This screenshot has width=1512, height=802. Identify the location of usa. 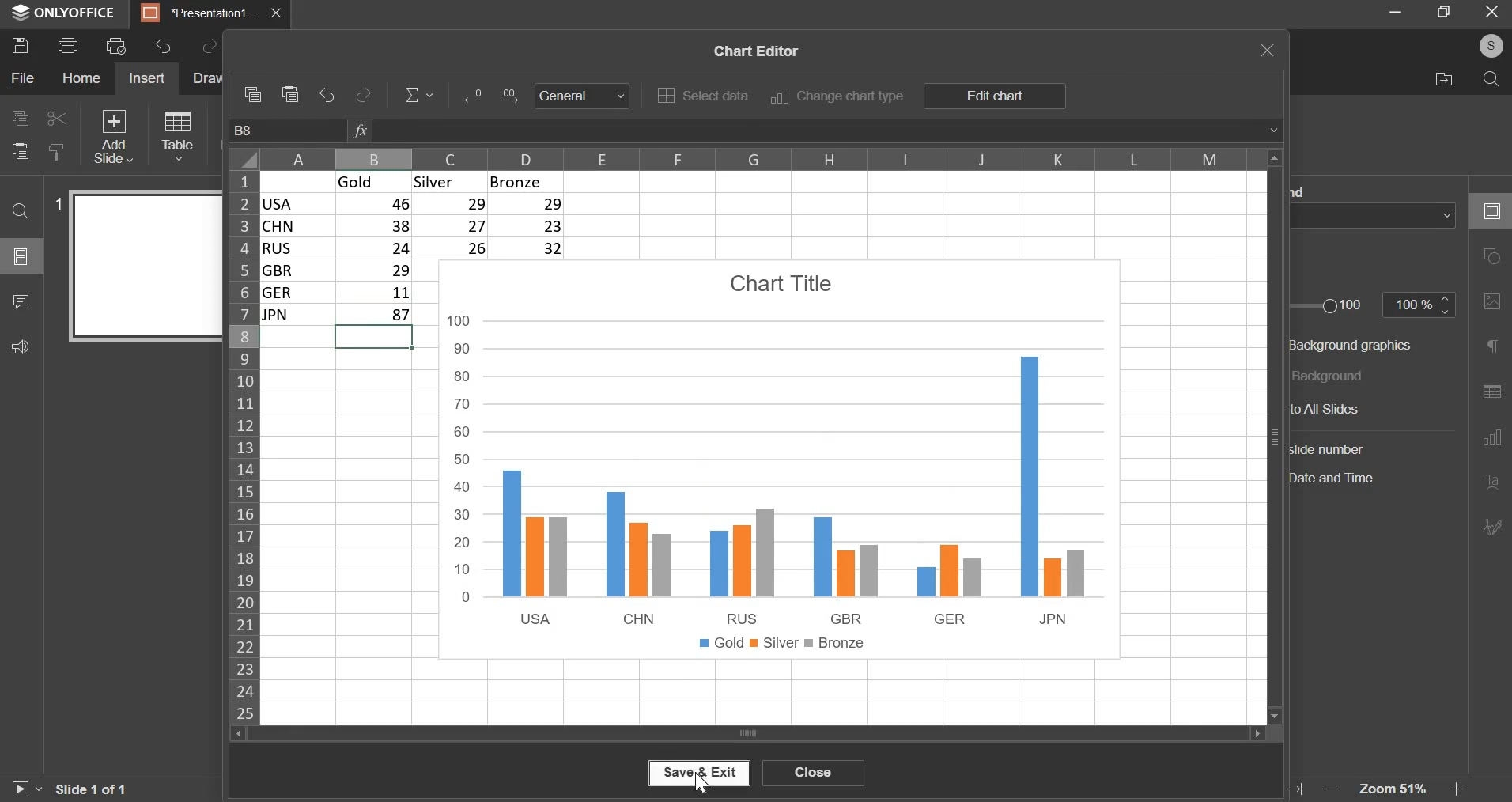
(298, 204).